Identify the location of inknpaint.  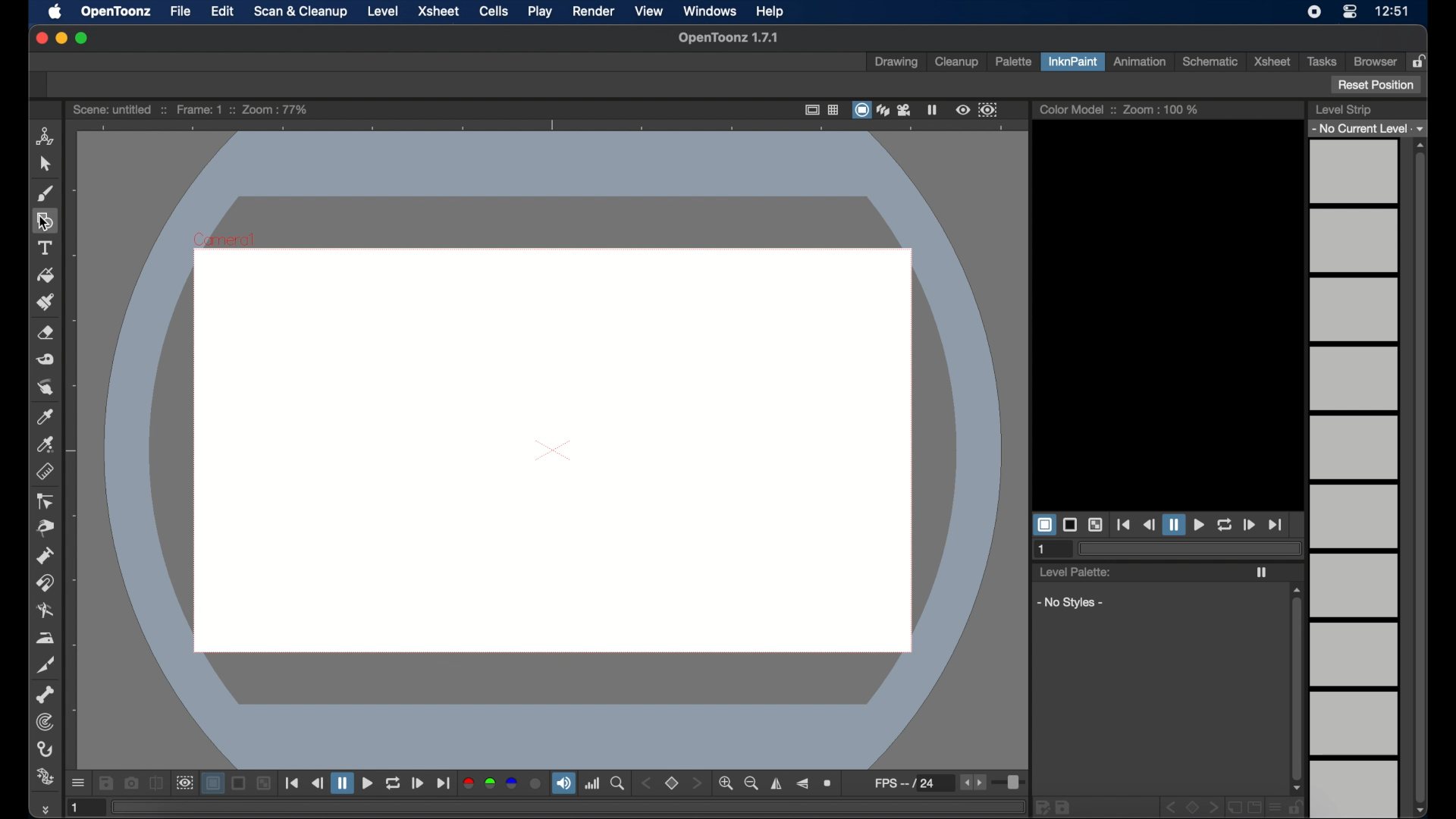
(1072, 61).